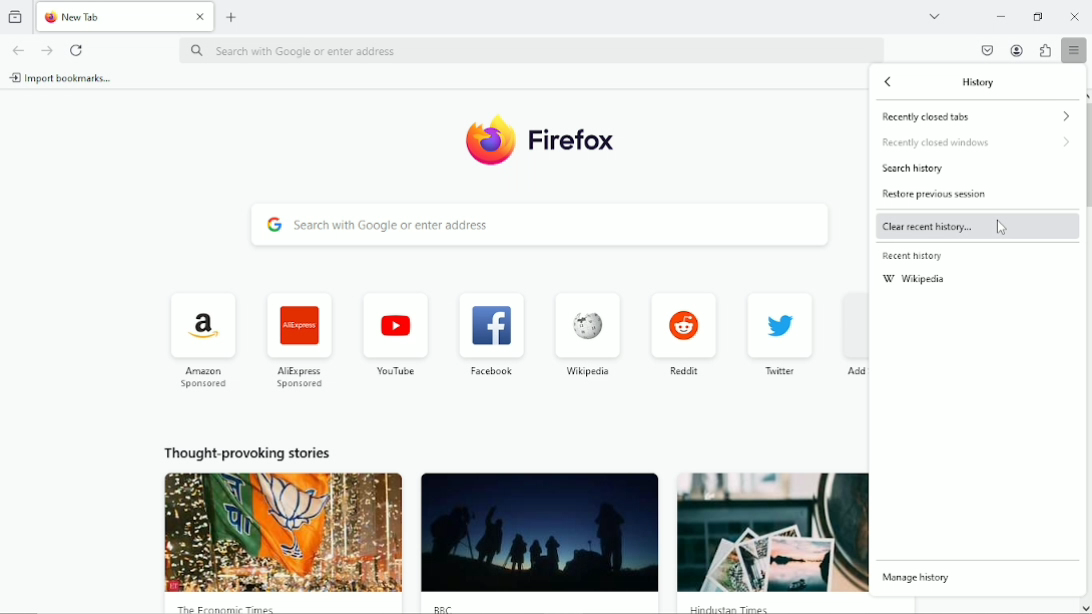  What do you see at coordinates (492, 138) in the screenshot?
I see `Logo` at bounding box center [492, 138].